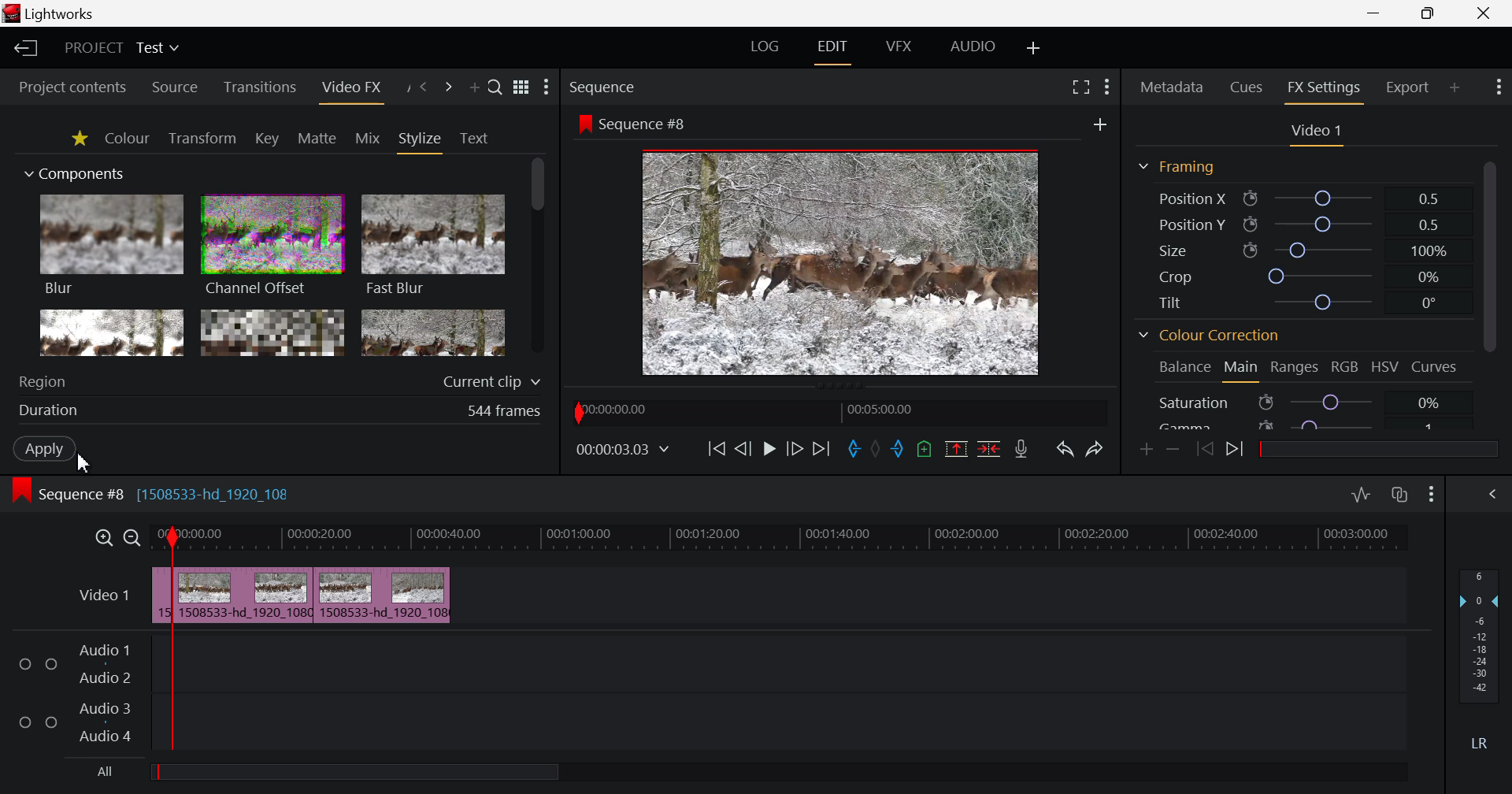  What do you see at coordinates (831, 50) in the screenshot?
I see `EDIT Layout` at bounding box center [831, 50].